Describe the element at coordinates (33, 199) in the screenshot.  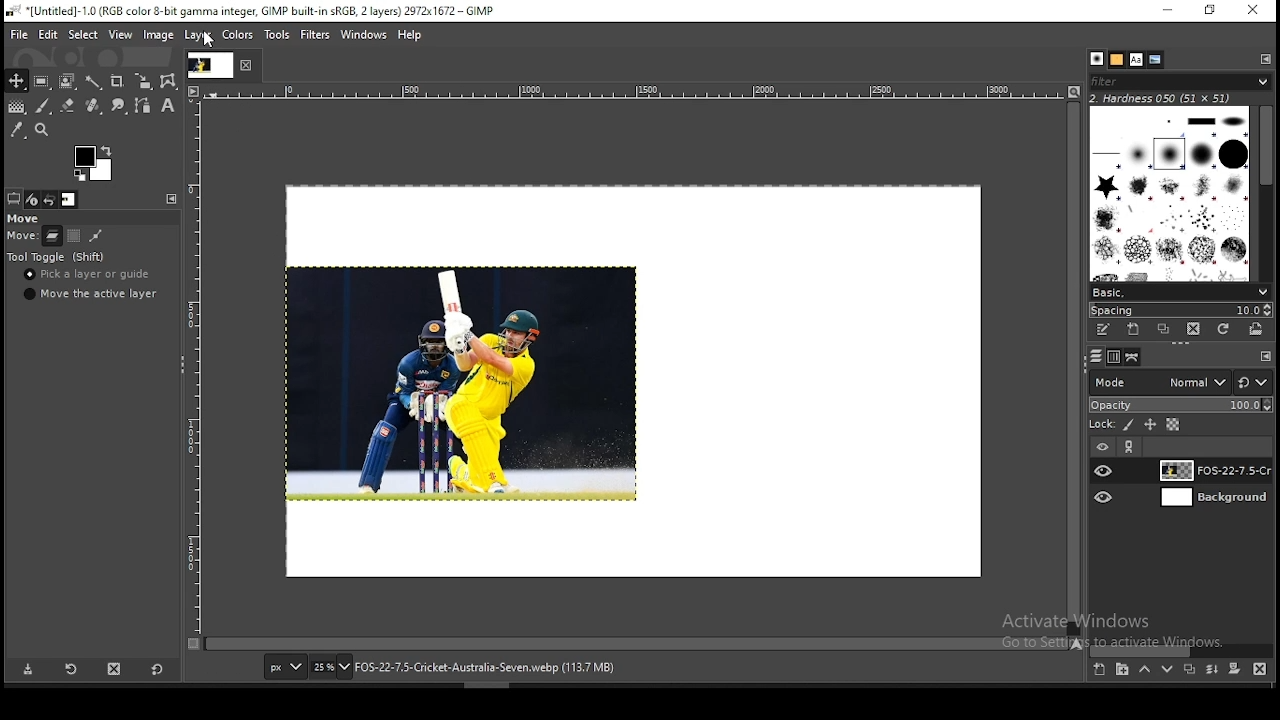
I see `device status` at that location.